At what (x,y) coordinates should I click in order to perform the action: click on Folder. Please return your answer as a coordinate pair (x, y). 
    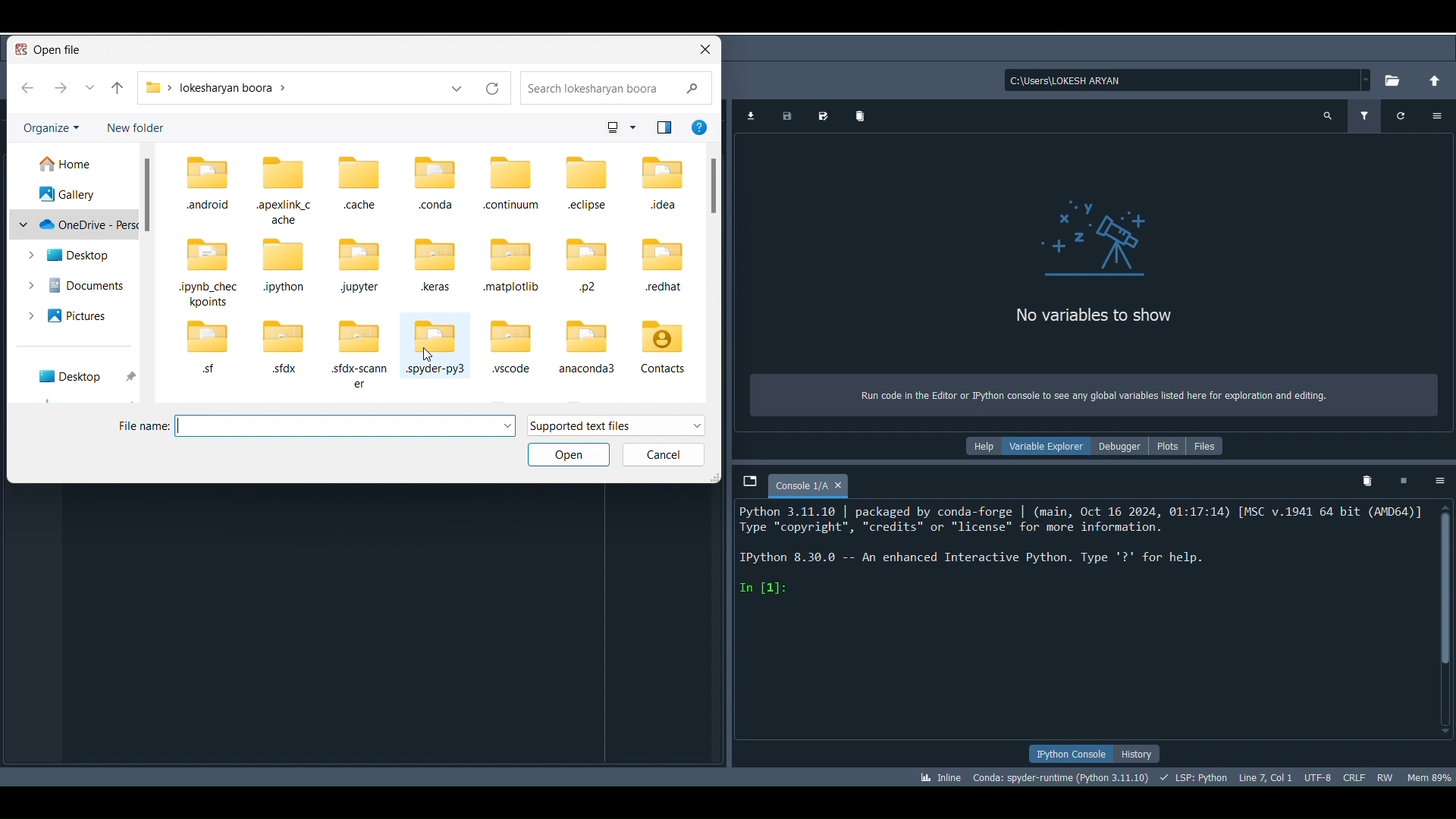
    Looking at the image, I should click on (661, 184).